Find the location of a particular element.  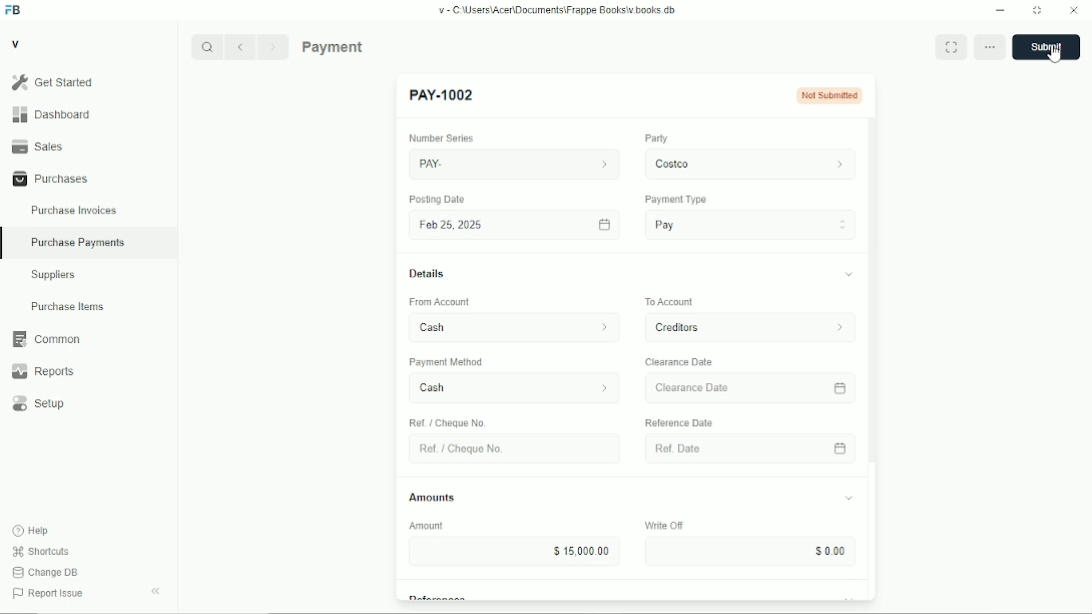

save is located at coordinates (1047, 47).